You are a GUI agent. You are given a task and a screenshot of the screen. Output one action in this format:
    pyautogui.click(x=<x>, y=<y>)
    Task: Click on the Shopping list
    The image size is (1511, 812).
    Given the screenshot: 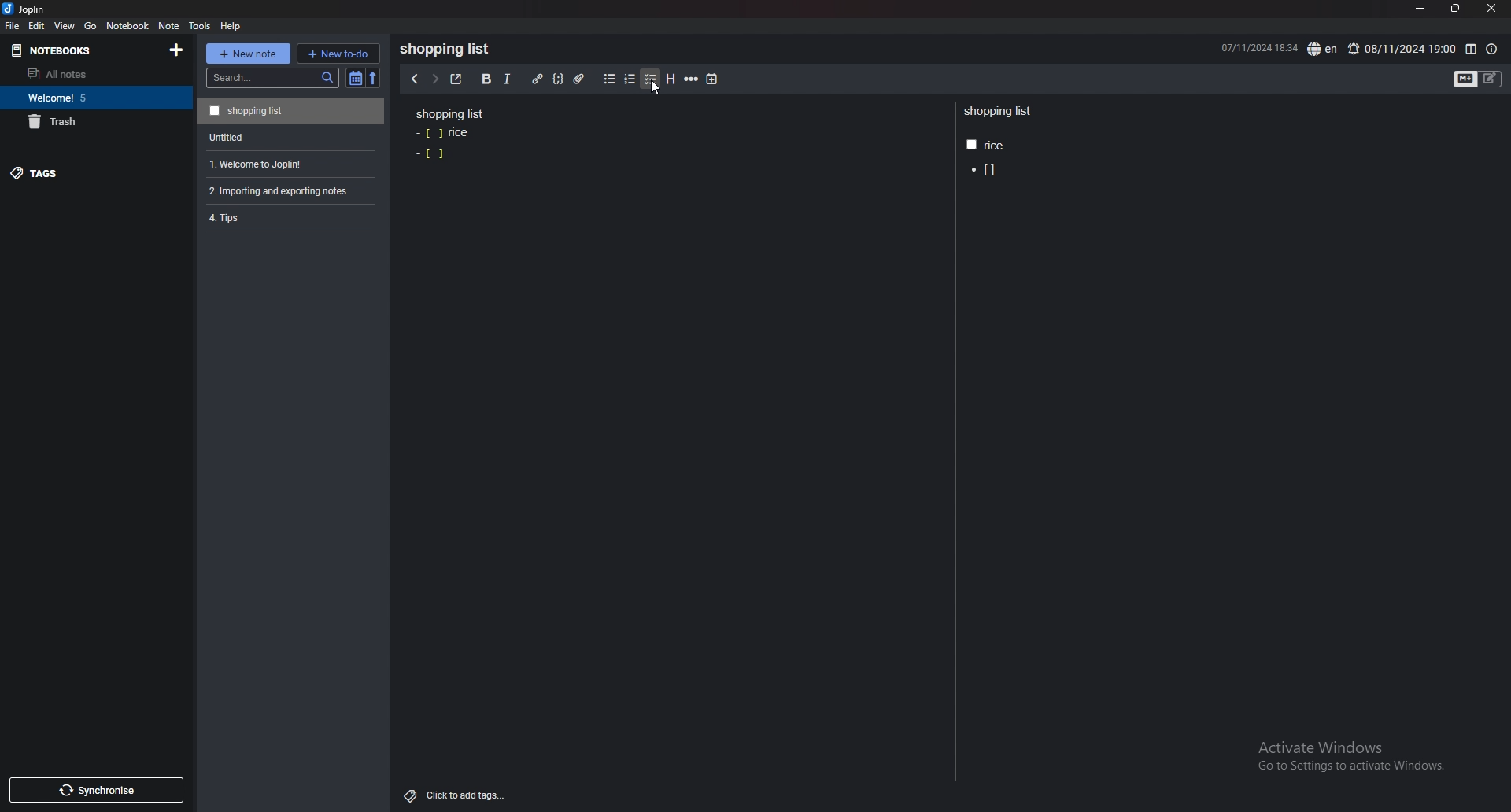 What is the action you would take?
    pyautogui.click(x=999, y=112)
    